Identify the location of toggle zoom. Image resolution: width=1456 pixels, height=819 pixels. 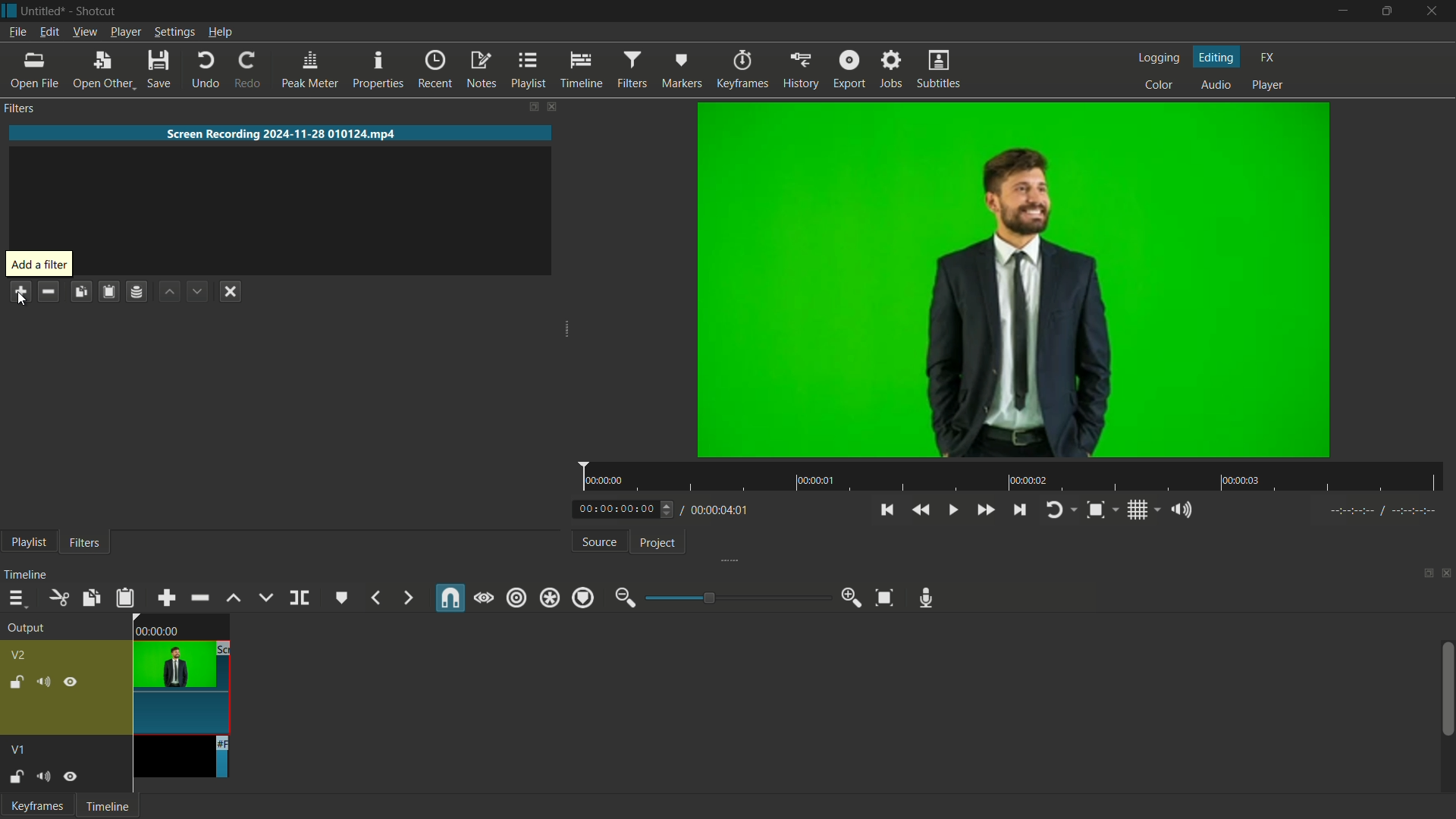
(1095, 510).